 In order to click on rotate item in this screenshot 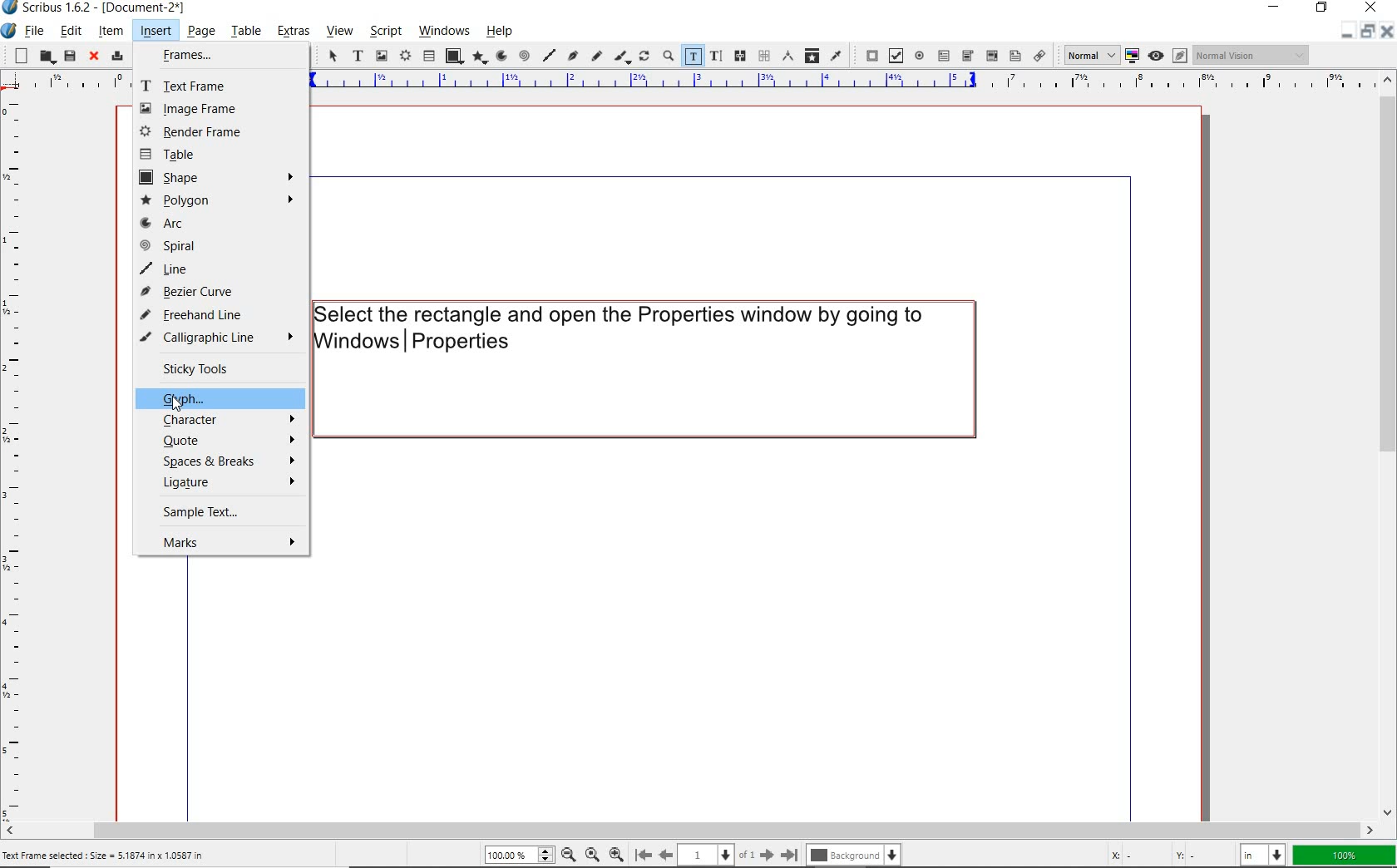, I will do `click(644, 57)`.